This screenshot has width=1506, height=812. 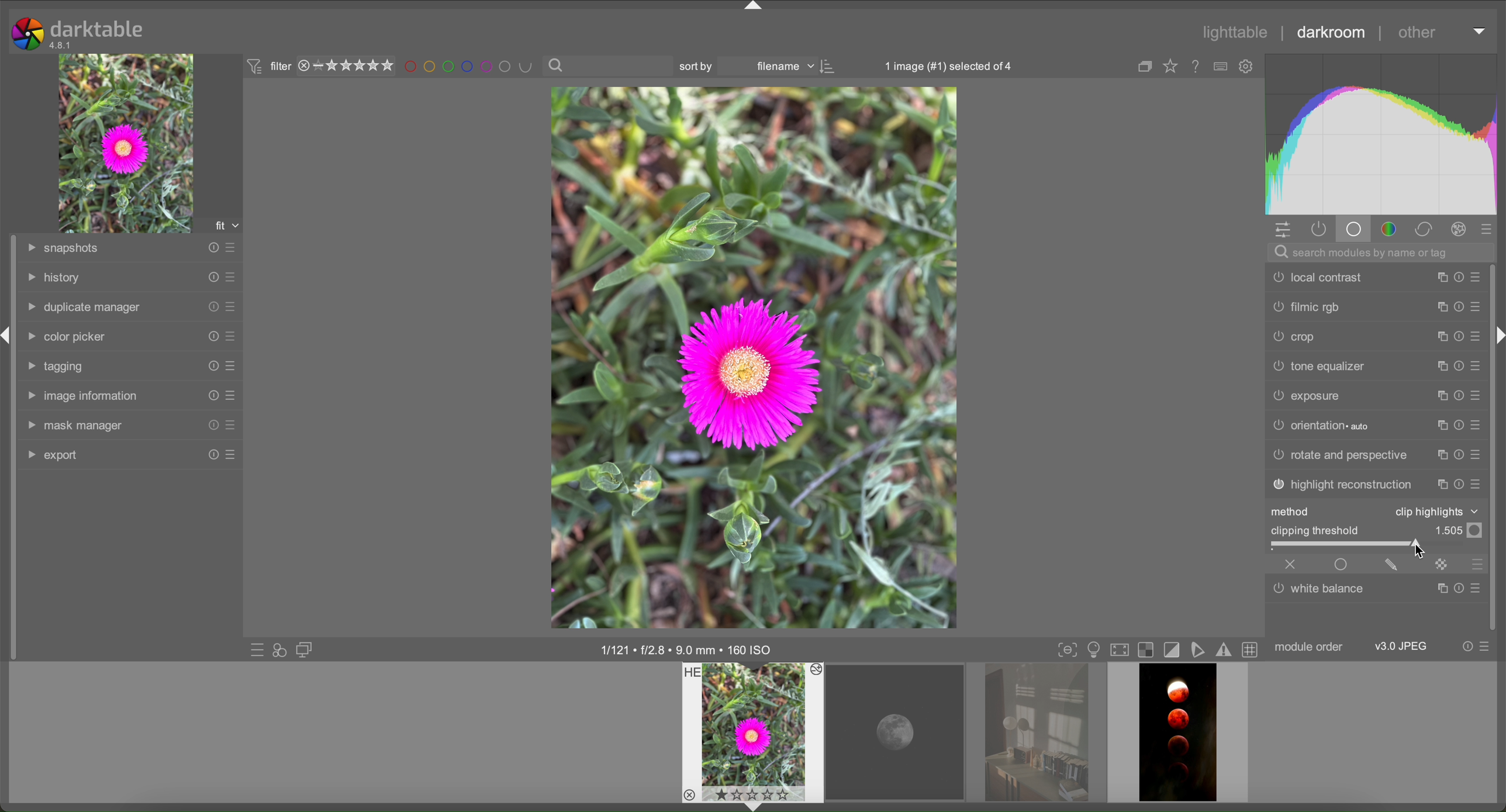 I want to click on copy, so click(x=1438, y=365).